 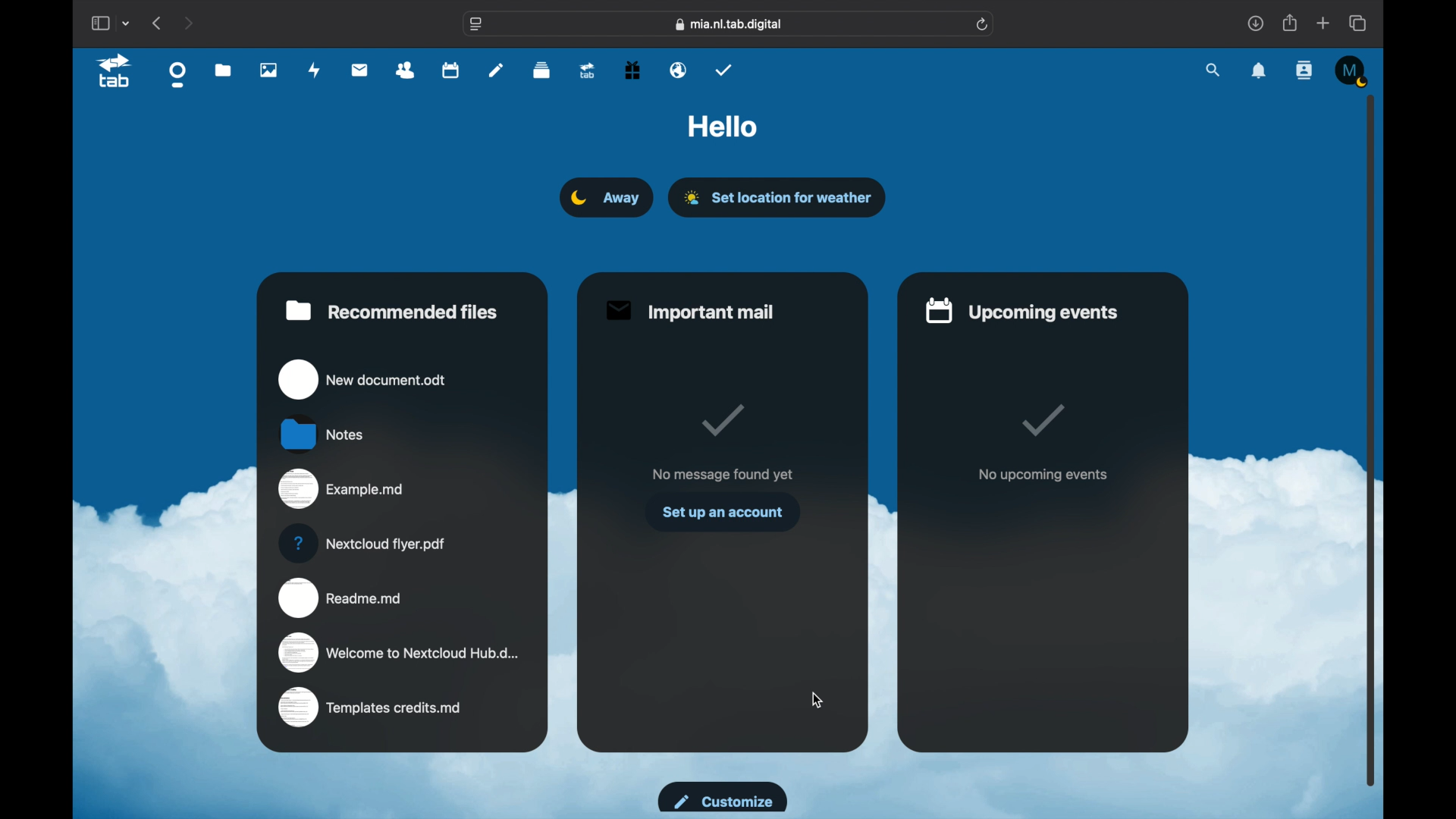 I want to click on scroll box, so click(x=1371, y=440).